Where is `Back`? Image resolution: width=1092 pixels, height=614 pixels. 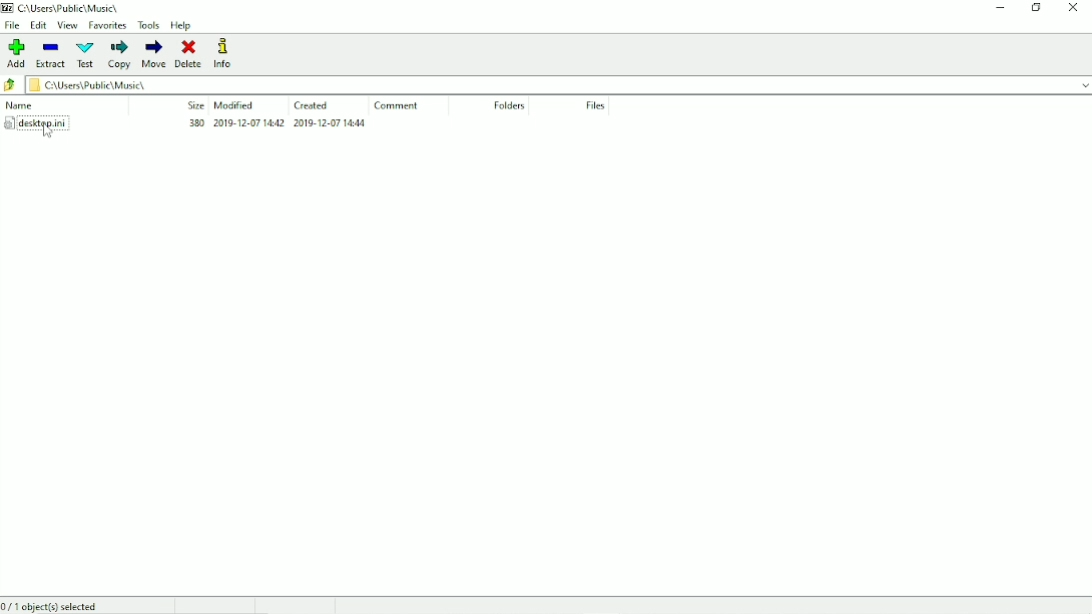
Back is located at coordinates (10, 86).